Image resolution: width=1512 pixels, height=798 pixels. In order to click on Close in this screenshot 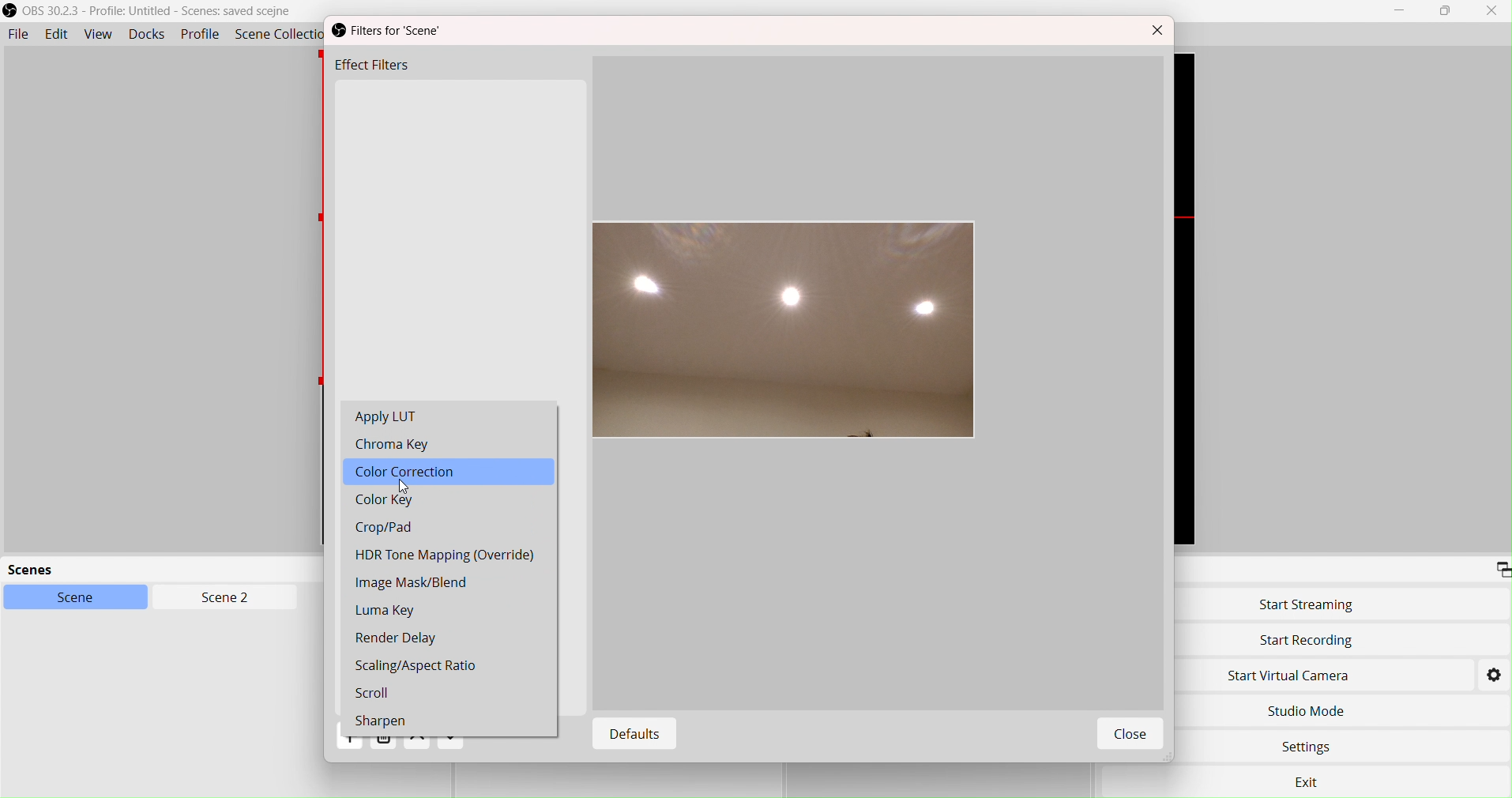, I will do `click(1491, 10)`.